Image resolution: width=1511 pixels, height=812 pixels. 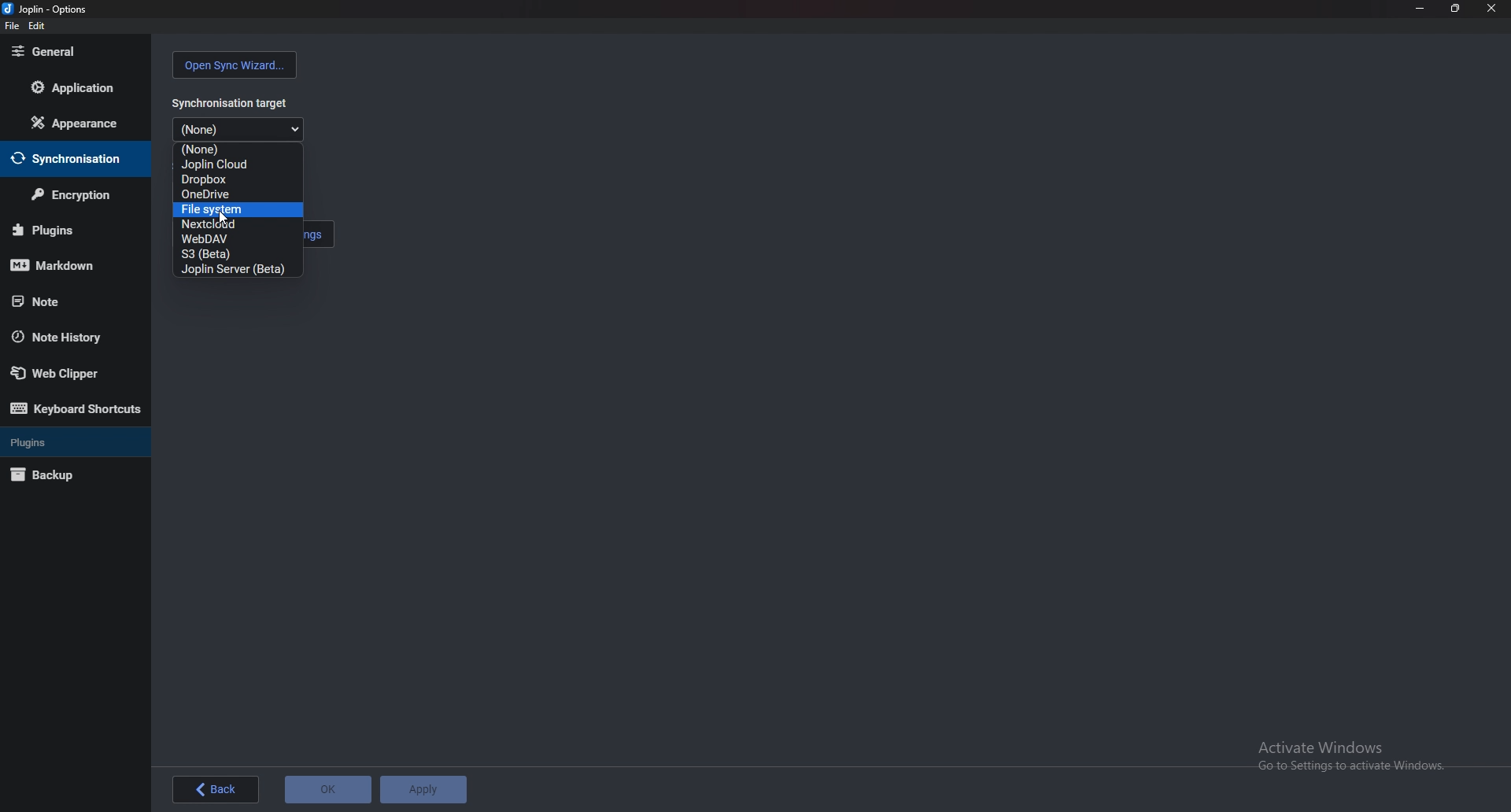 I want to click on Open sync wizard, so click(x=235, y=65).